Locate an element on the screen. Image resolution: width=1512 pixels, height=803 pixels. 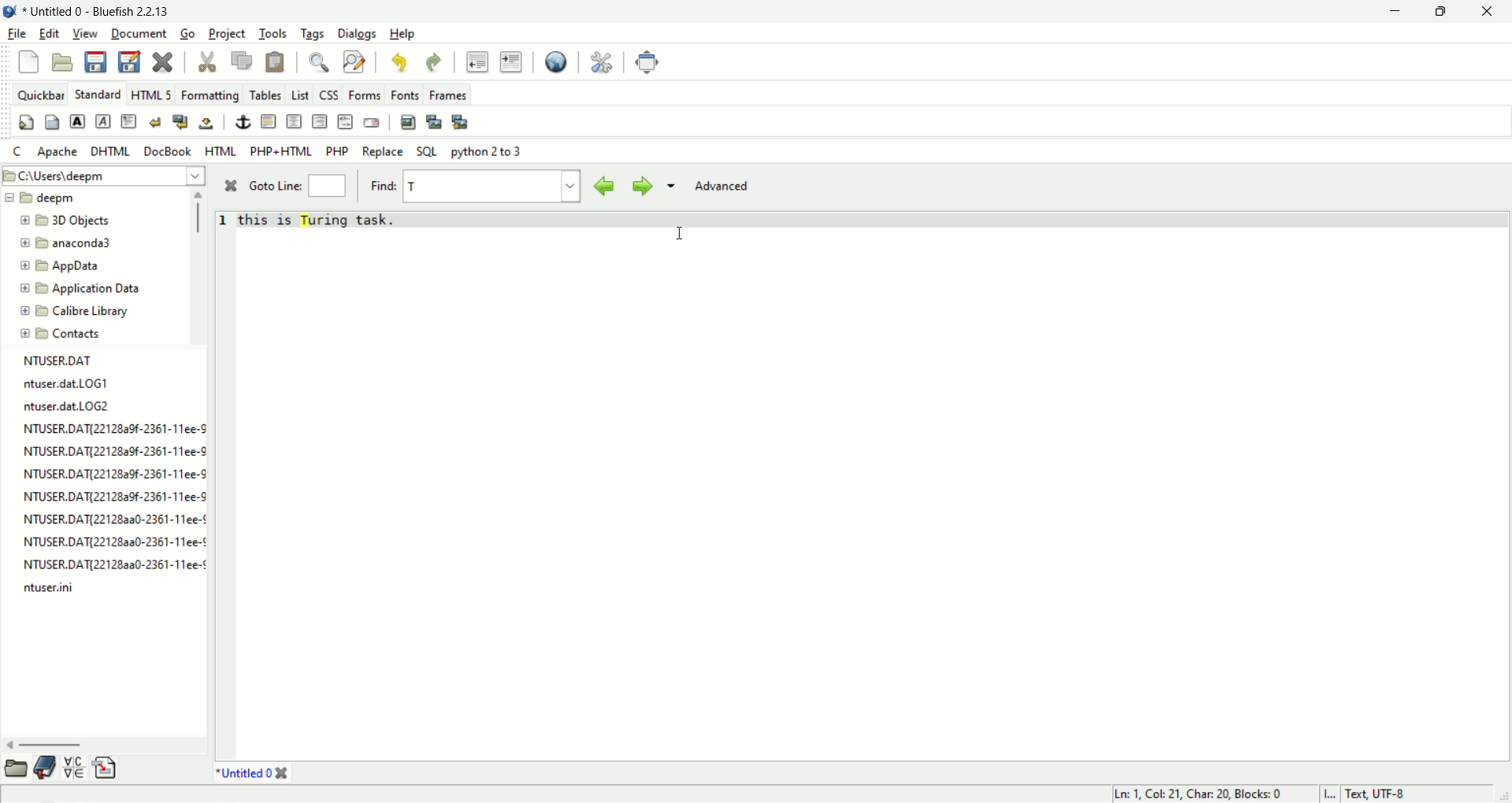
New file is located at coordinates (28, 61).